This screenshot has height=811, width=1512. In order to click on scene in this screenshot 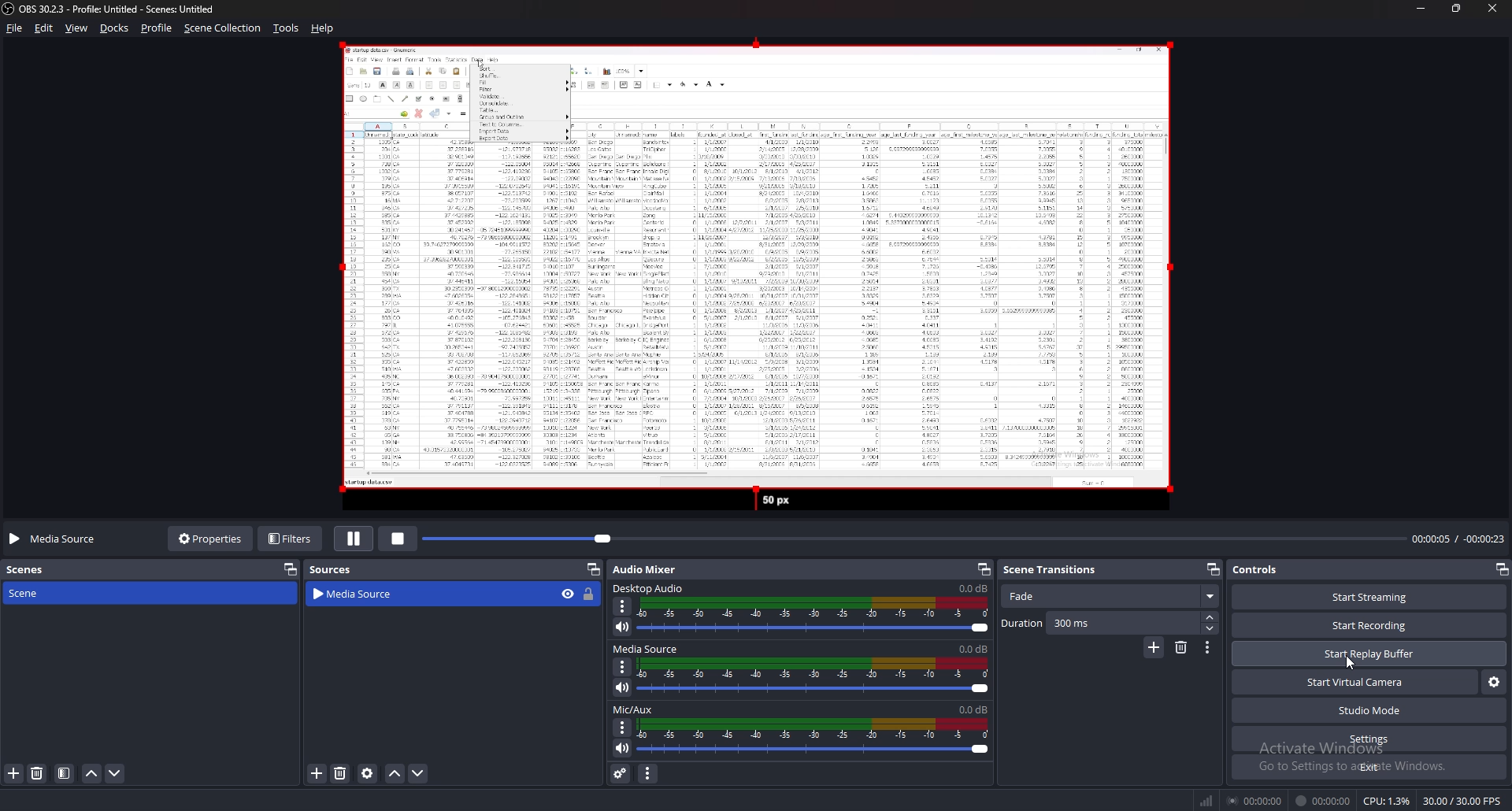, I will do `click(30, 593)`.